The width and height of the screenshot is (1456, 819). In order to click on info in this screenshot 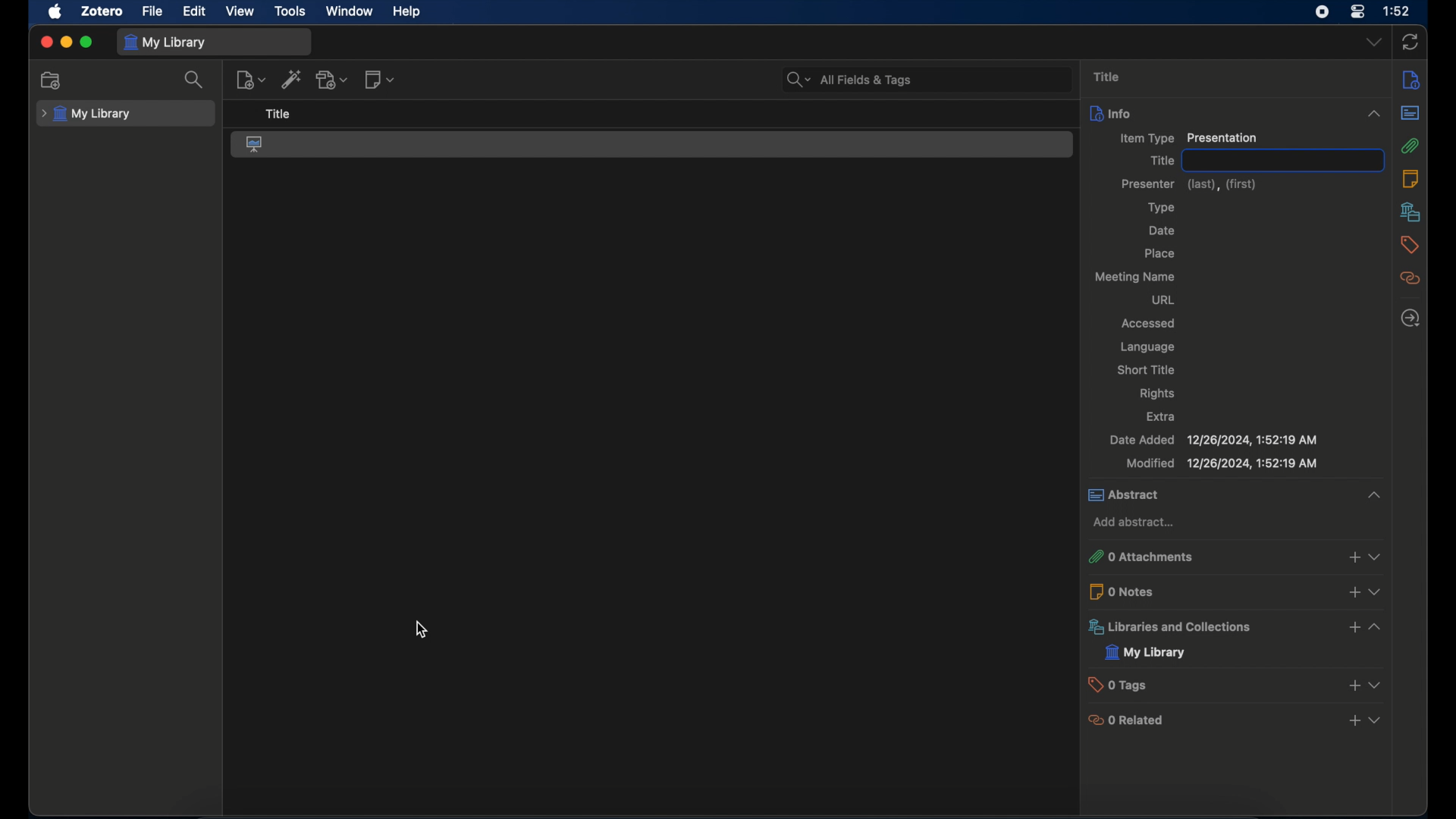, I will do `click(1235, 113)`.